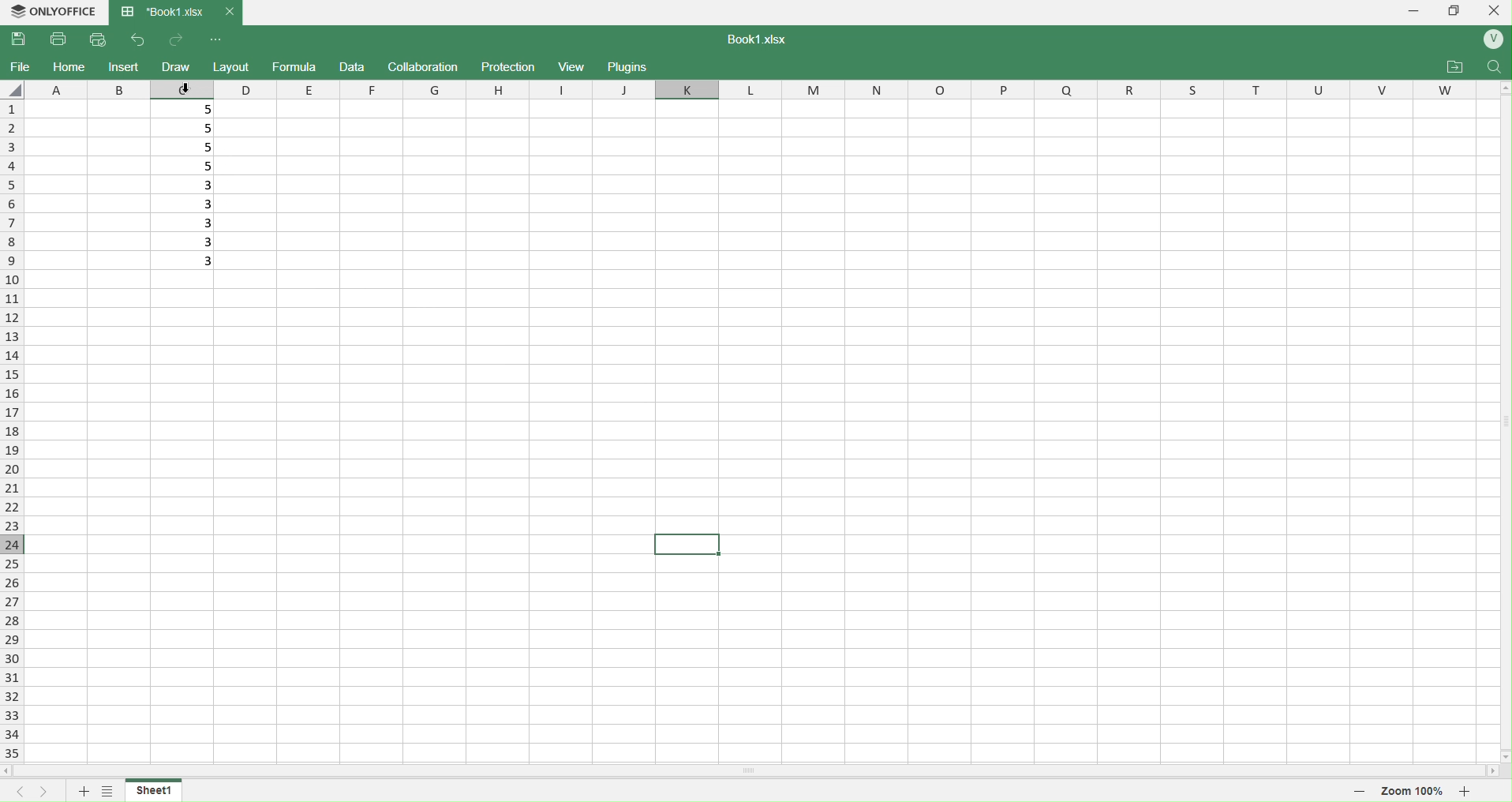 The width and height of the screenshot is (1512, 802). What do you see at coordinates (189, 87) in the screenshot?
I see `Cursor` at bounding box center [189, 87].